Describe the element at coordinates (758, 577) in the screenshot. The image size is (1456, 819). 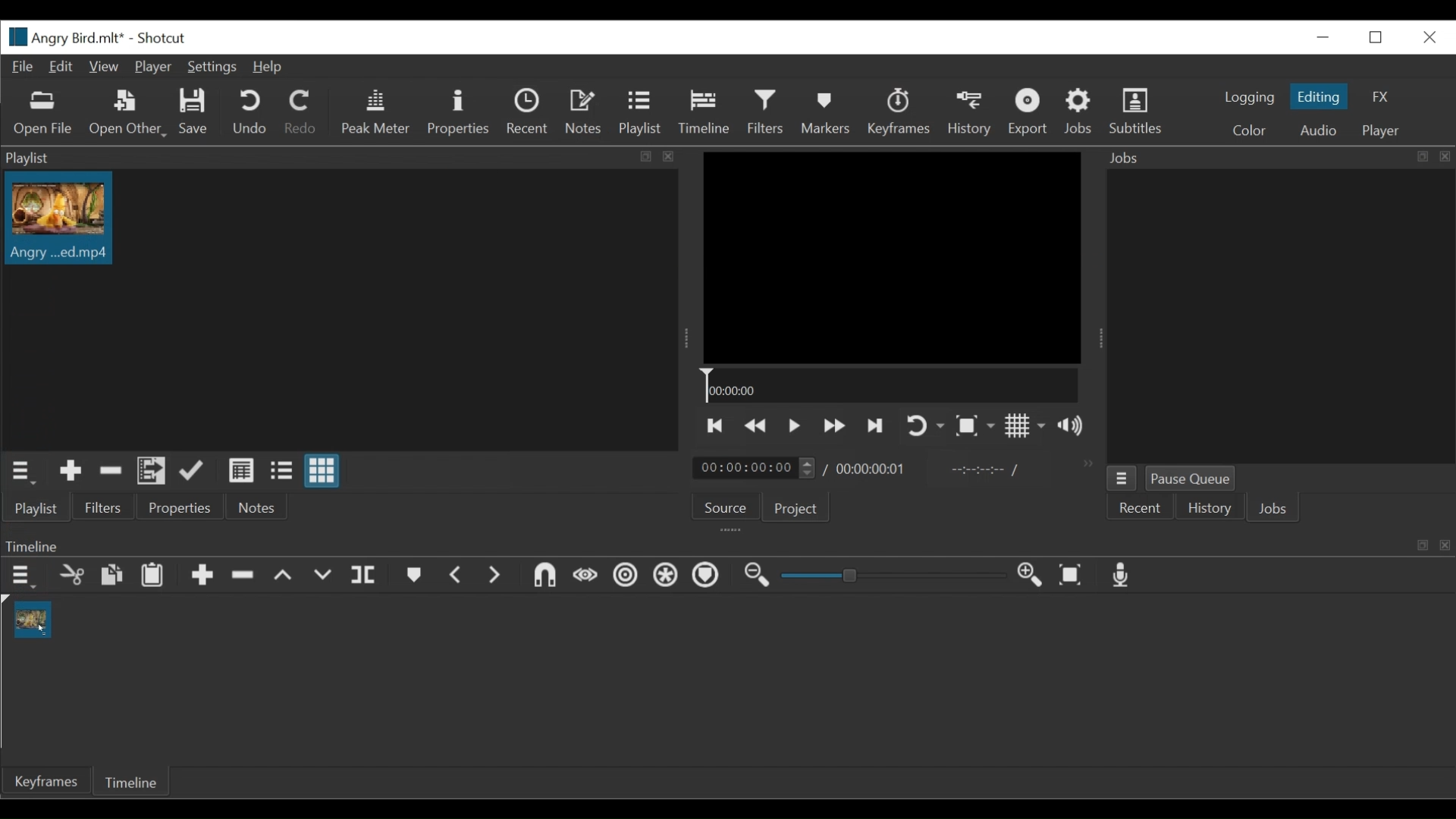
I see `Zoom out timeline` at that location.